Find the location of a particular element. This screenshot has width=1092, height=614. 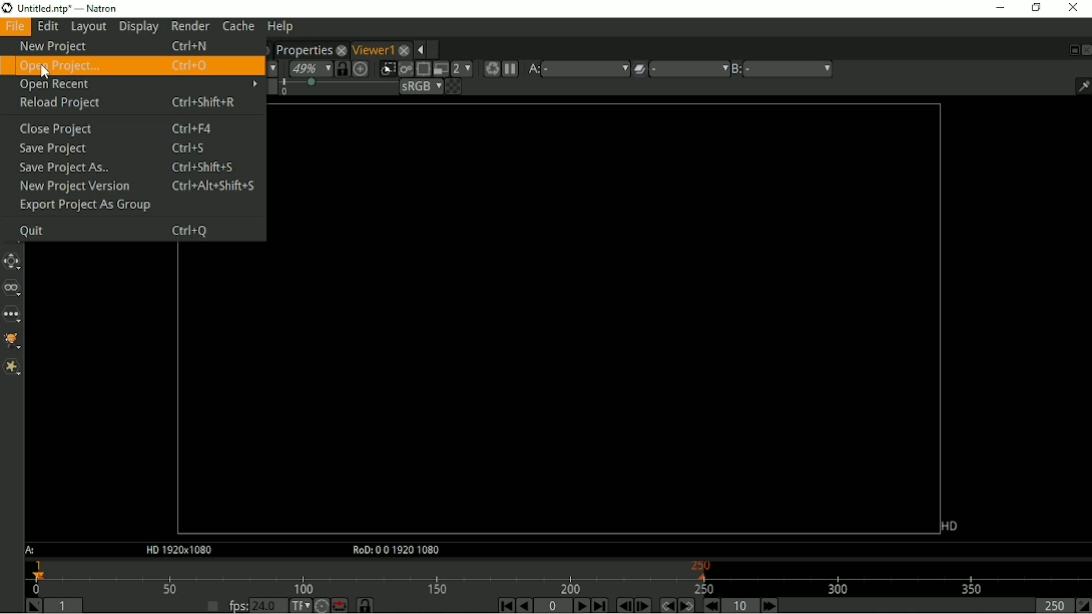

Information bar is located at coordinates (1079, 85).